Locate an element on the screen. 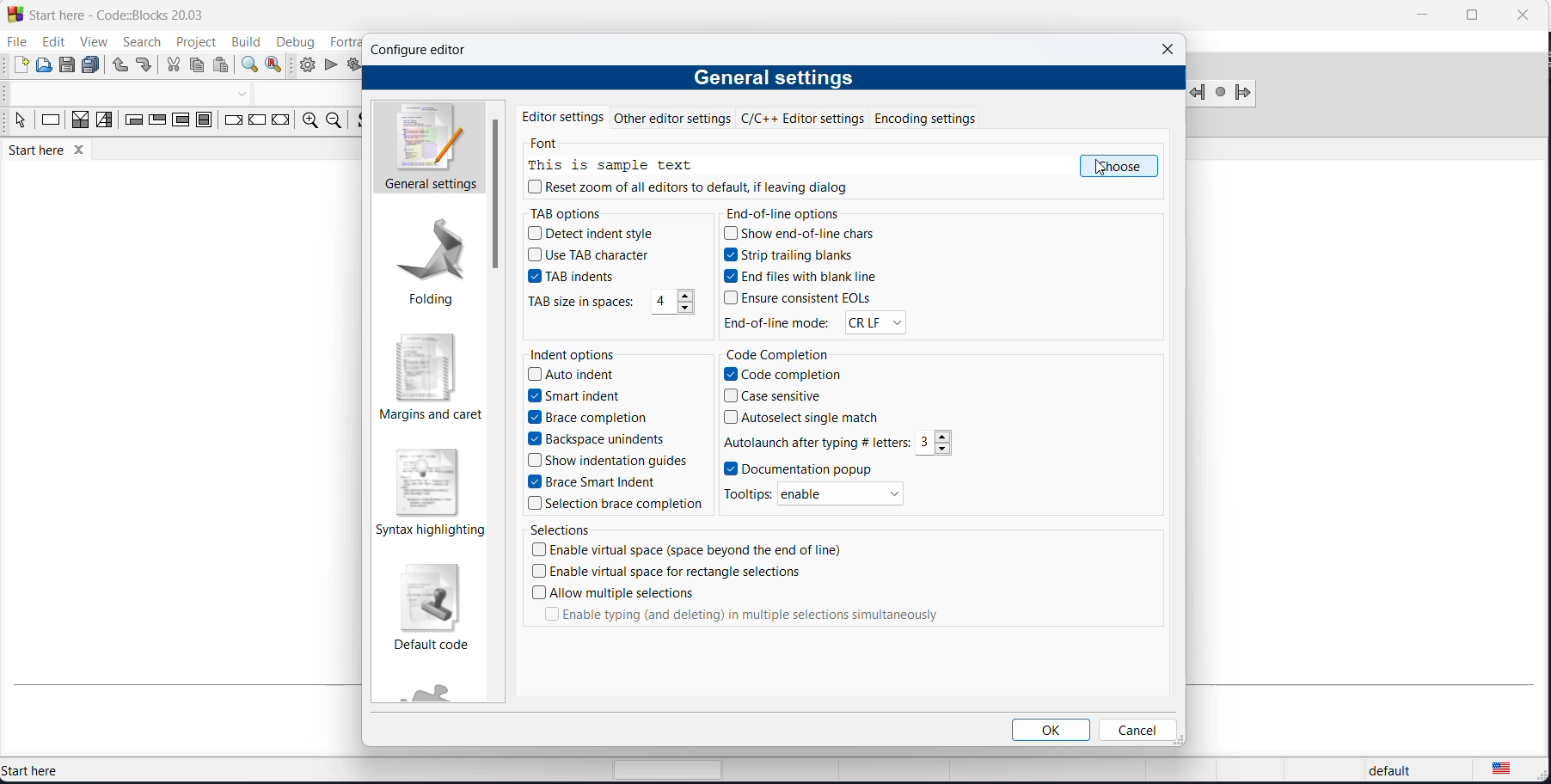  code completion checkbox is located at coordinates (792, 375).